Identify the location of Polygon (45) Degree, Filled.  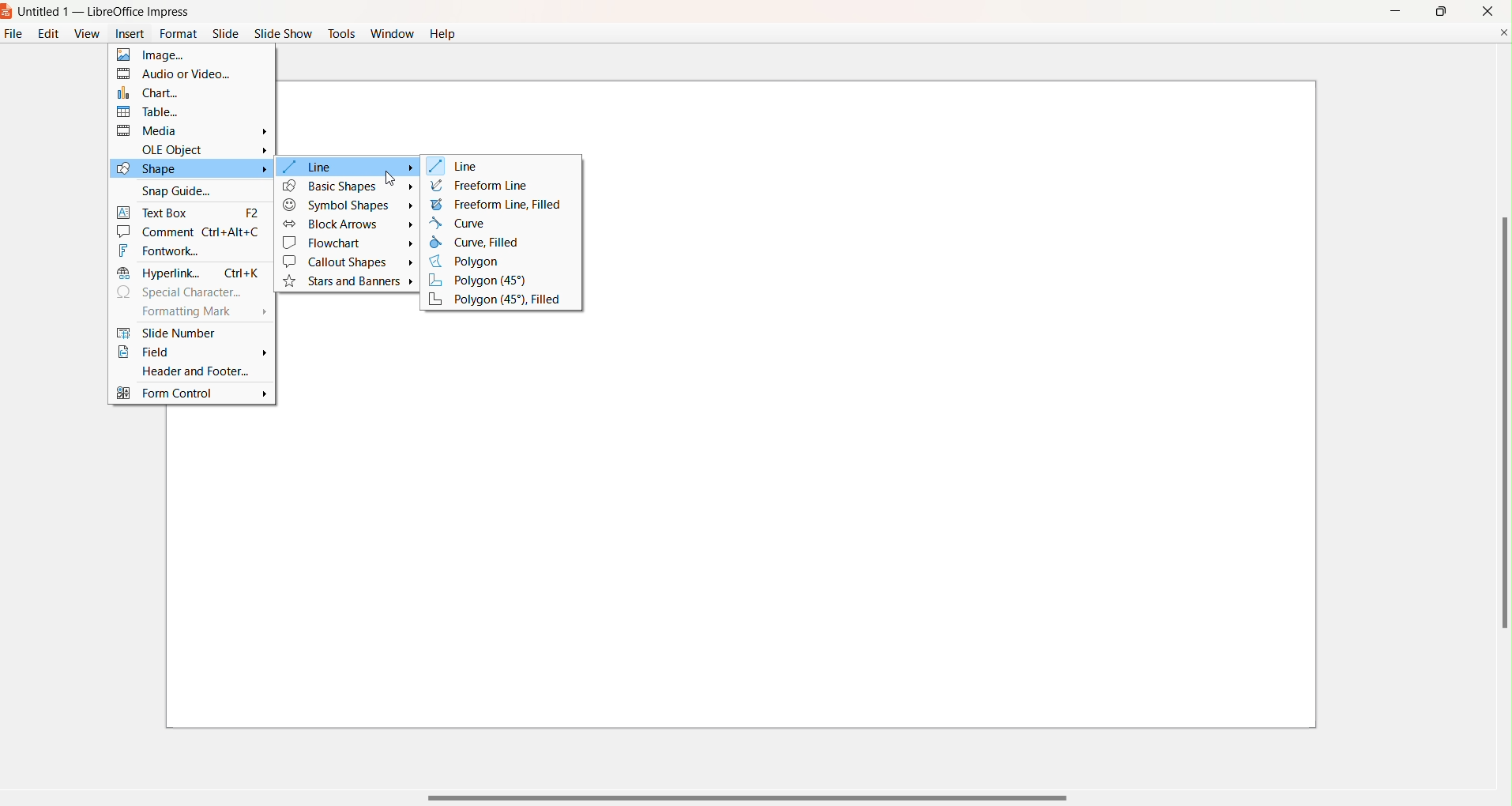
(496, 300).